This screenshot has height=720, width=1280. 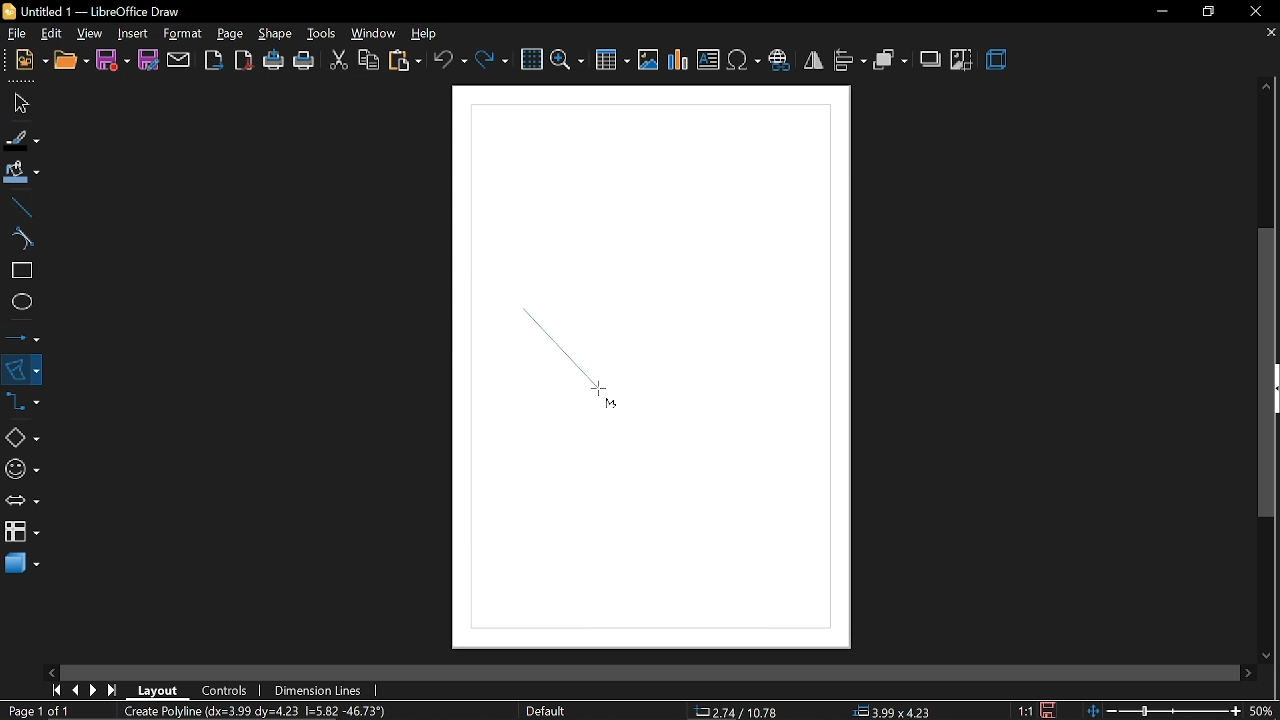 What do you see at coordinates (742, 711) in the screenshot?
I see `co-ordinate 22.70/12.93` at bounding box center [742, 711].